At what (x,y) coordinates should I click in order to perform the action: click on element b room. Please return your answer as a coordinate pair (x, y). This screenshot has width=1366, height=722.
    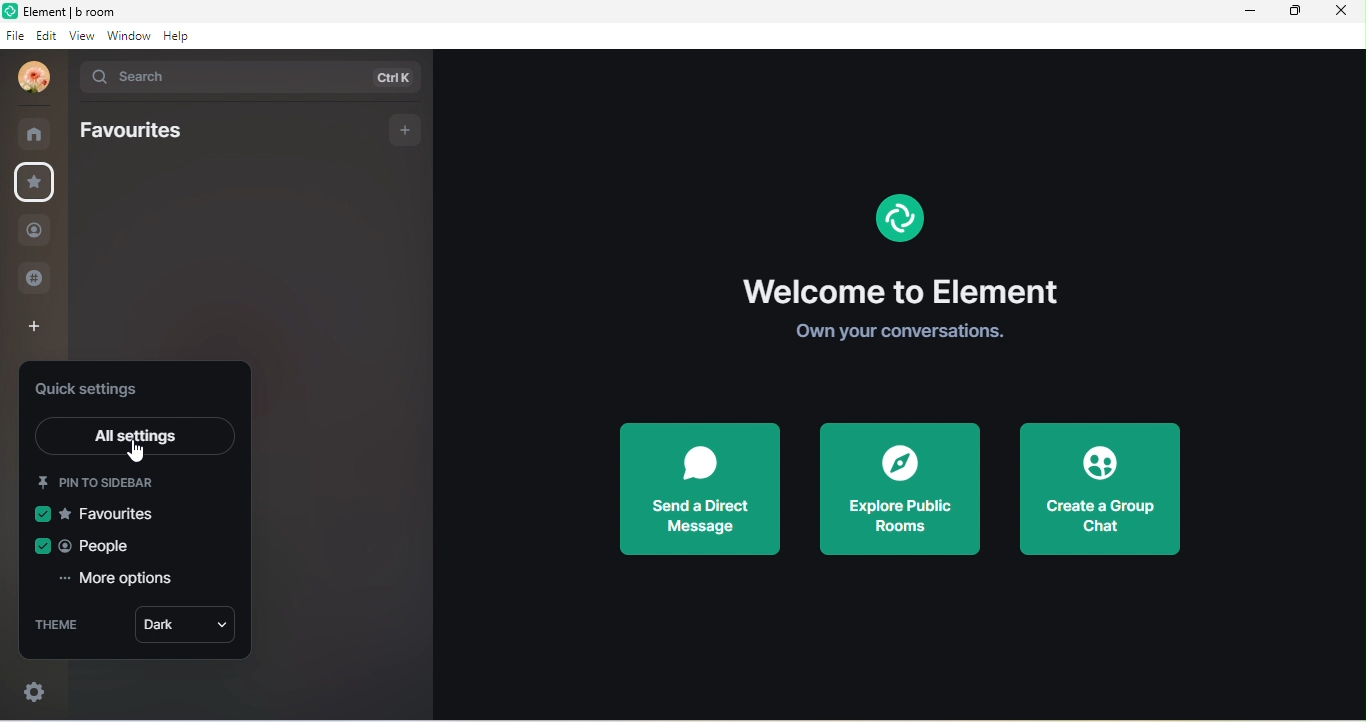
    Looking at the image, I should click on (71, 10).